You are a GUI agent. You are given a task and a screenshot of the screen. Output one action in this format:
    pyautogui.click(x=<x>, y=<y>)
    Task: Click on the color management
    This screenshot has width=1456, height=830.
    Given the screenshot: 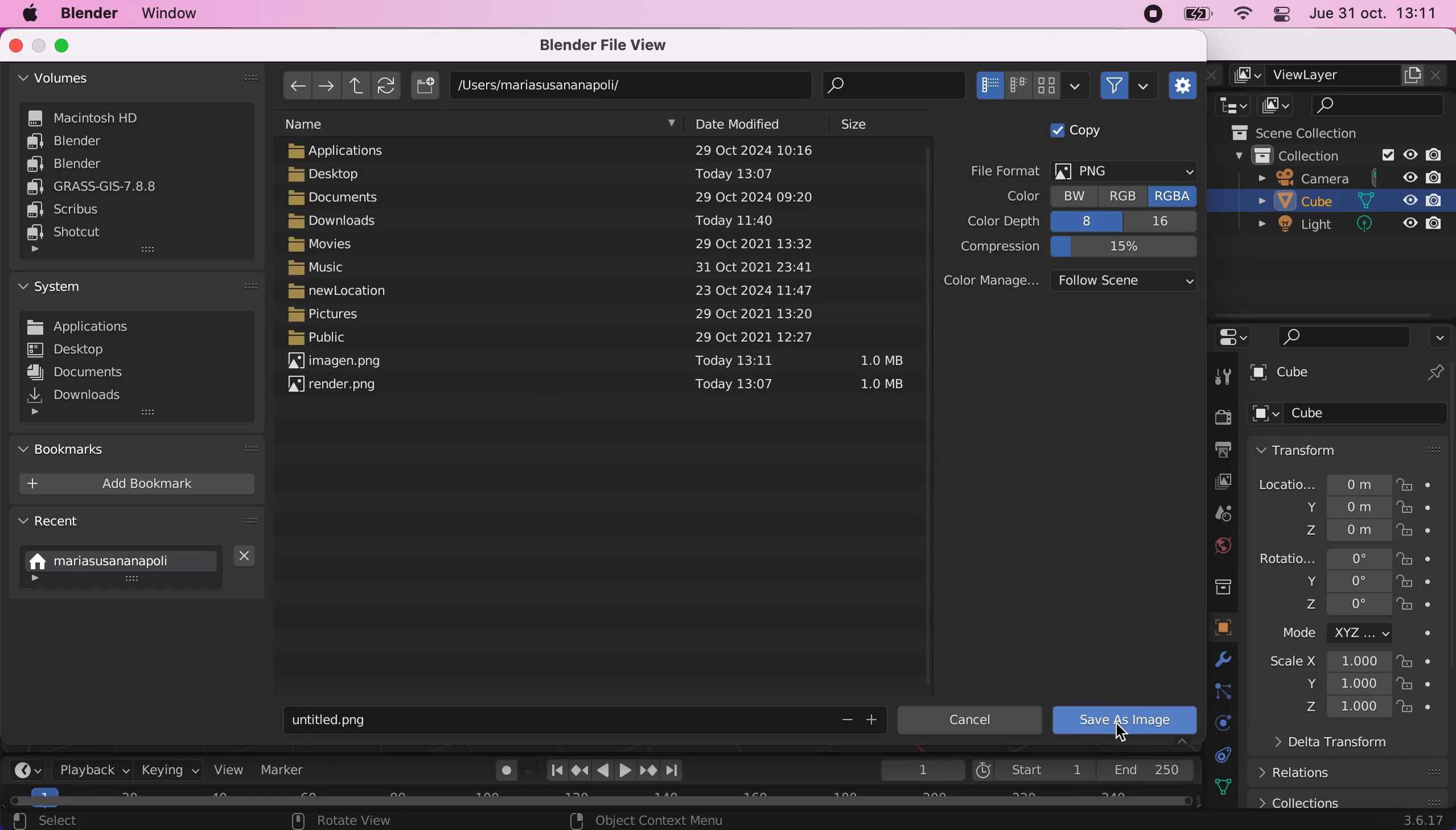 What is the action you would take?
    pyautogui.click(x=1069, y=284)
    